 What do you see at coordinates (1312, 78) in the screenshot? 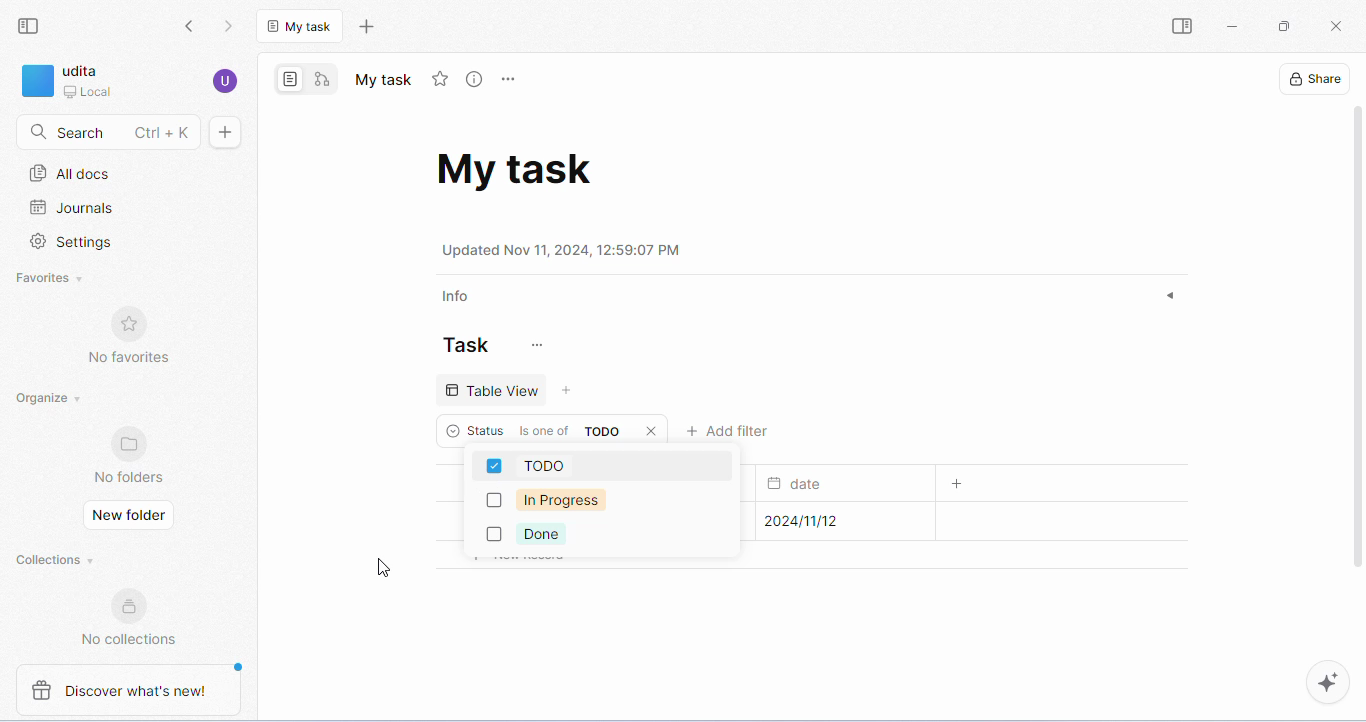
I see `share` at bounding box center [1312, 78].